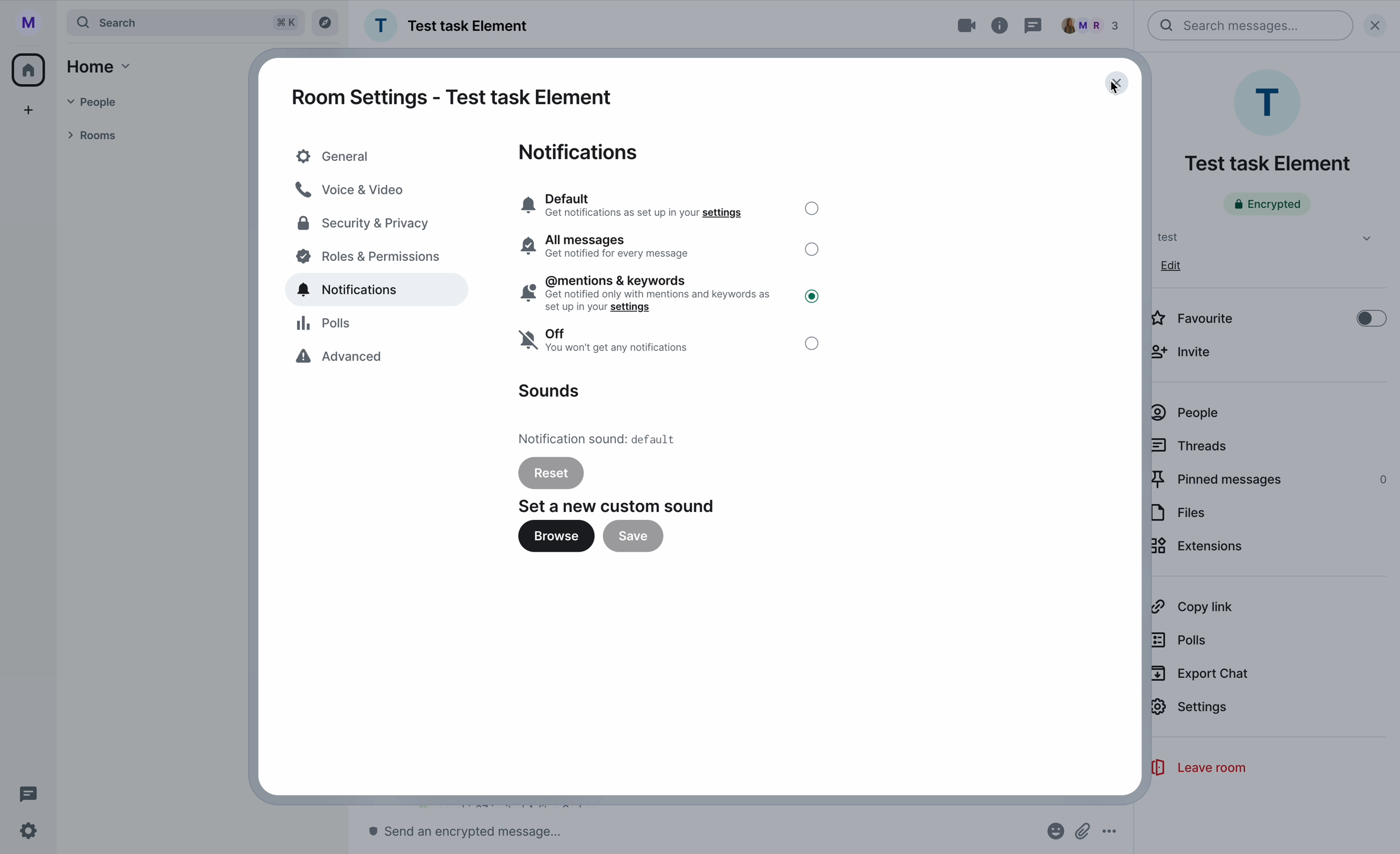 The image size is (1400, 854). Describe the element at coordinates (1117, 84) in the screenshot. I see `close` at that location.